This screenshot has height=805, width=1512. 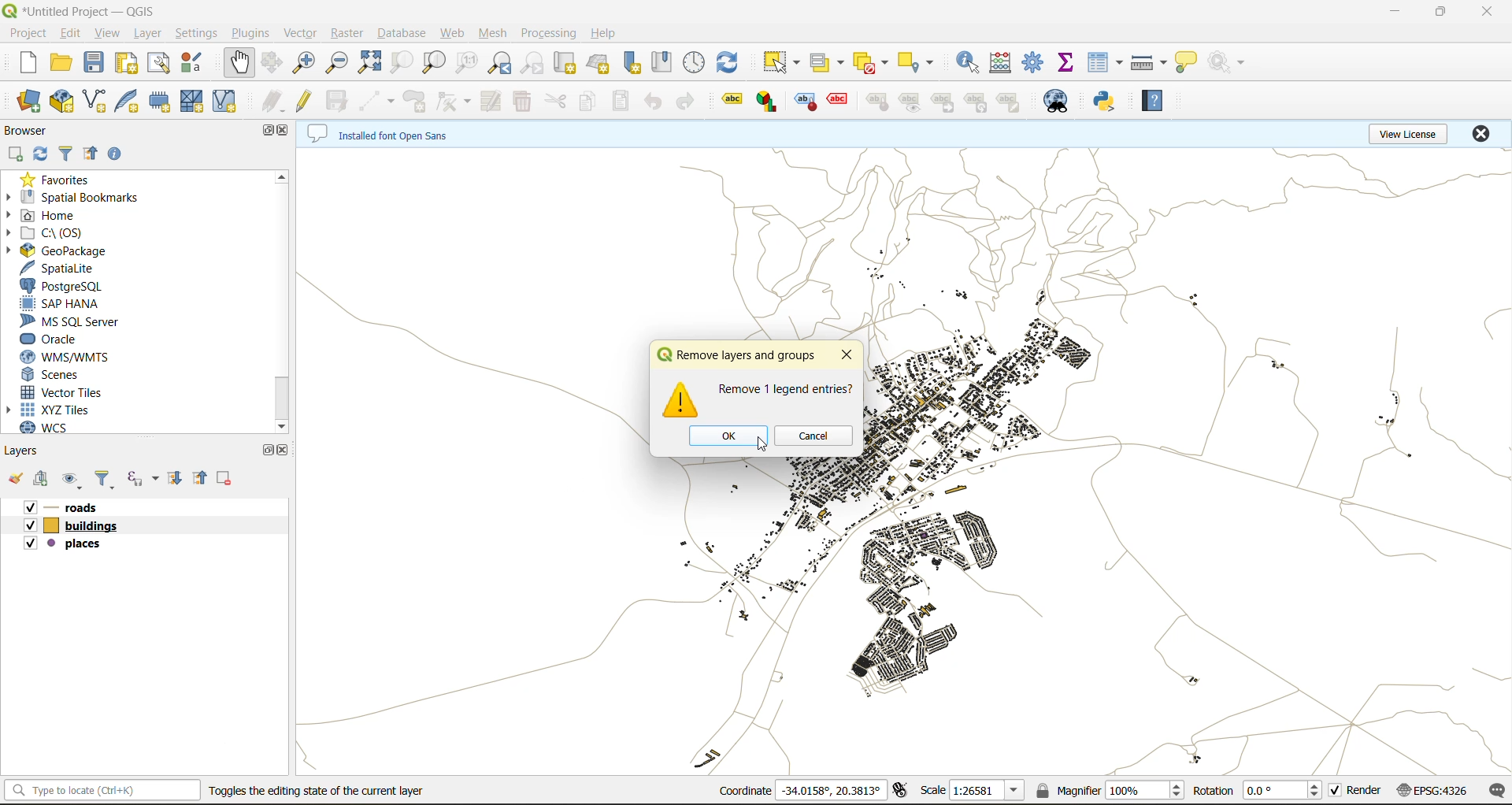 What do you see at coordinates (254, 33) in the screenshot?
I see `plugins` at bounding box center [254, 33].